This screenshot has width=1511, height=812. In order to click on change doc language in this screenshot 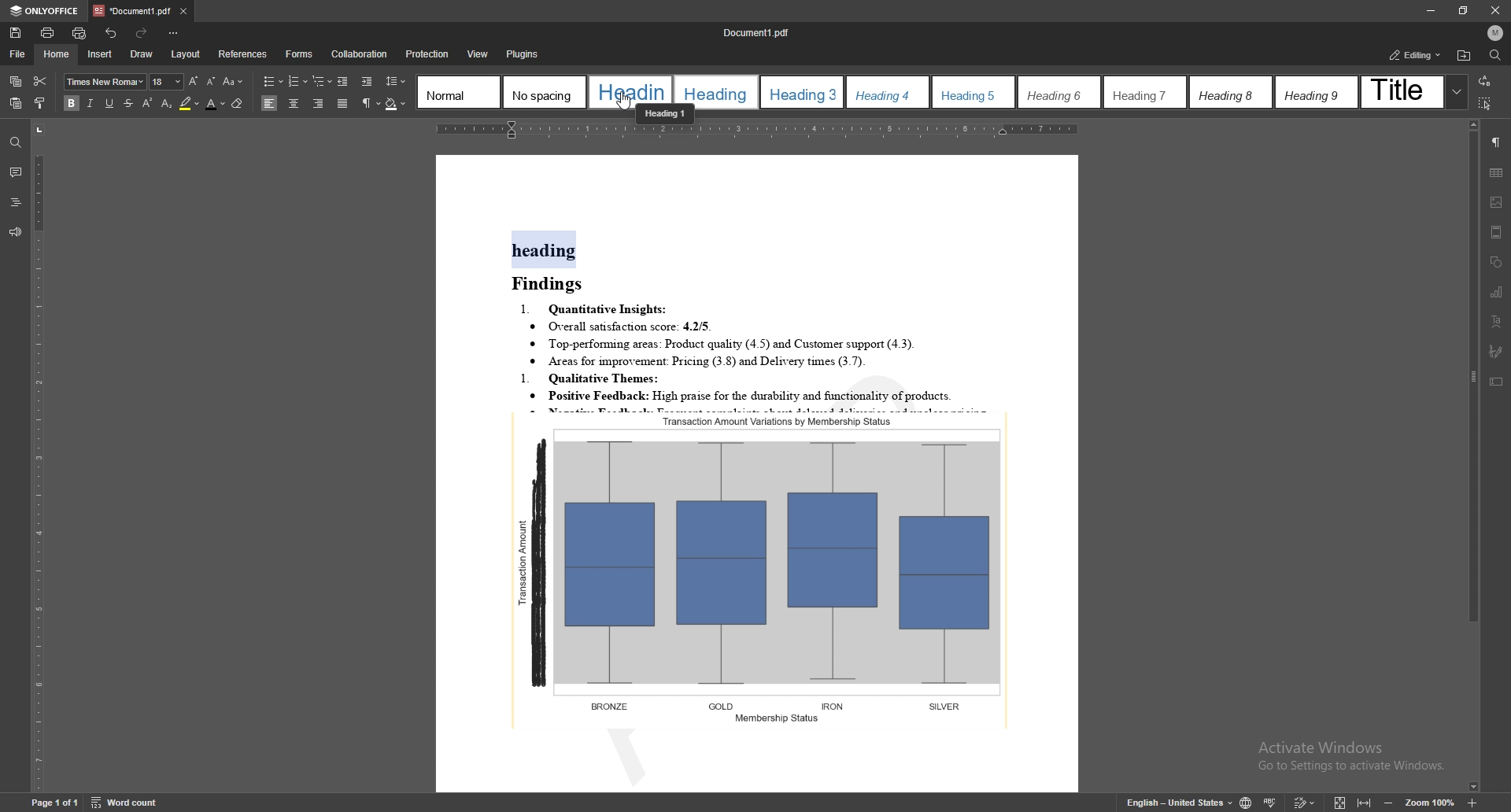, I will do `click(1245, 802)`.